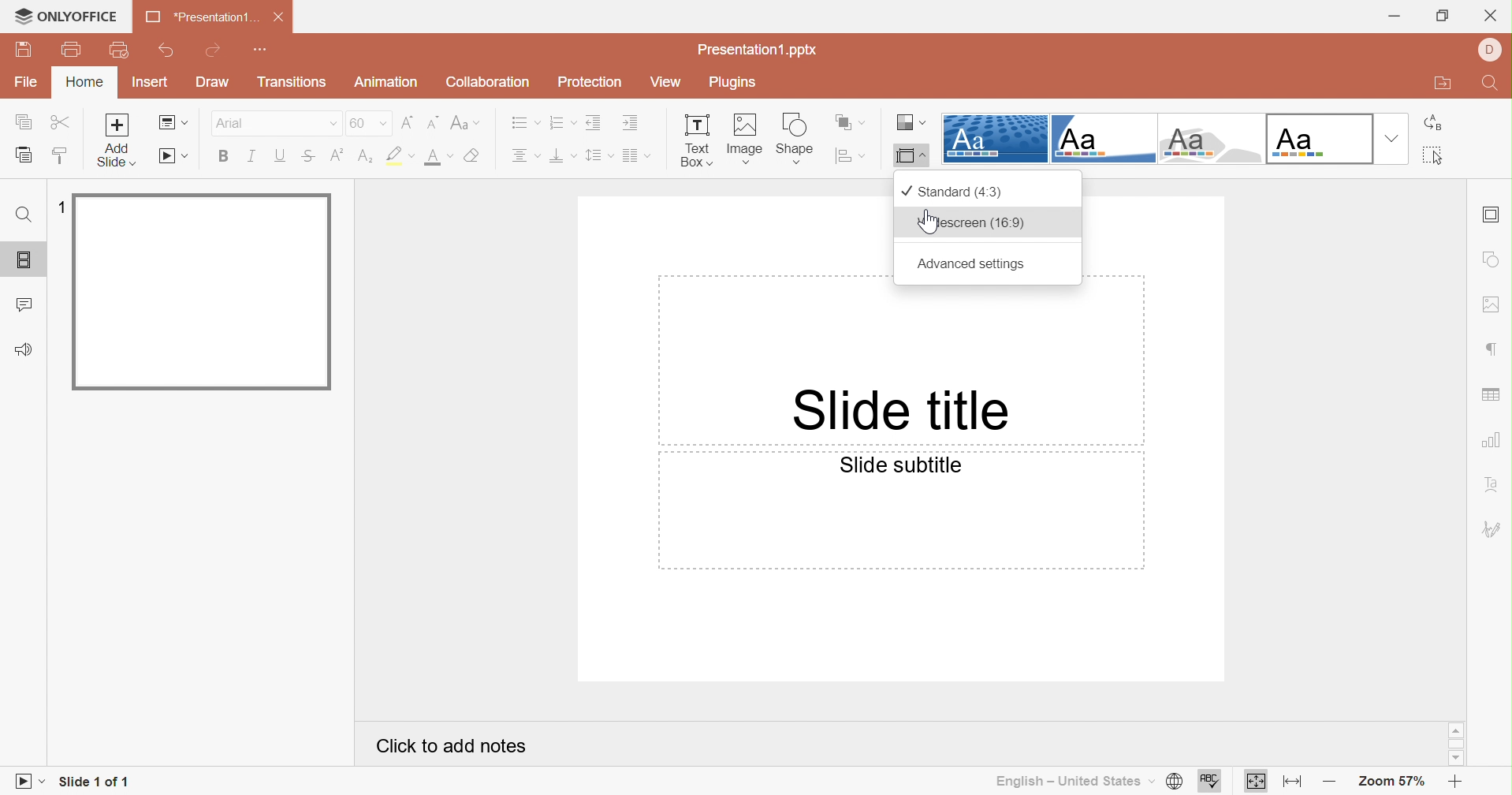 This screenshot has height=795, width=1512. What do you see at coordinates (635, 157) in the screenshot?
I see `Justified` at bounding box center [635, 157].